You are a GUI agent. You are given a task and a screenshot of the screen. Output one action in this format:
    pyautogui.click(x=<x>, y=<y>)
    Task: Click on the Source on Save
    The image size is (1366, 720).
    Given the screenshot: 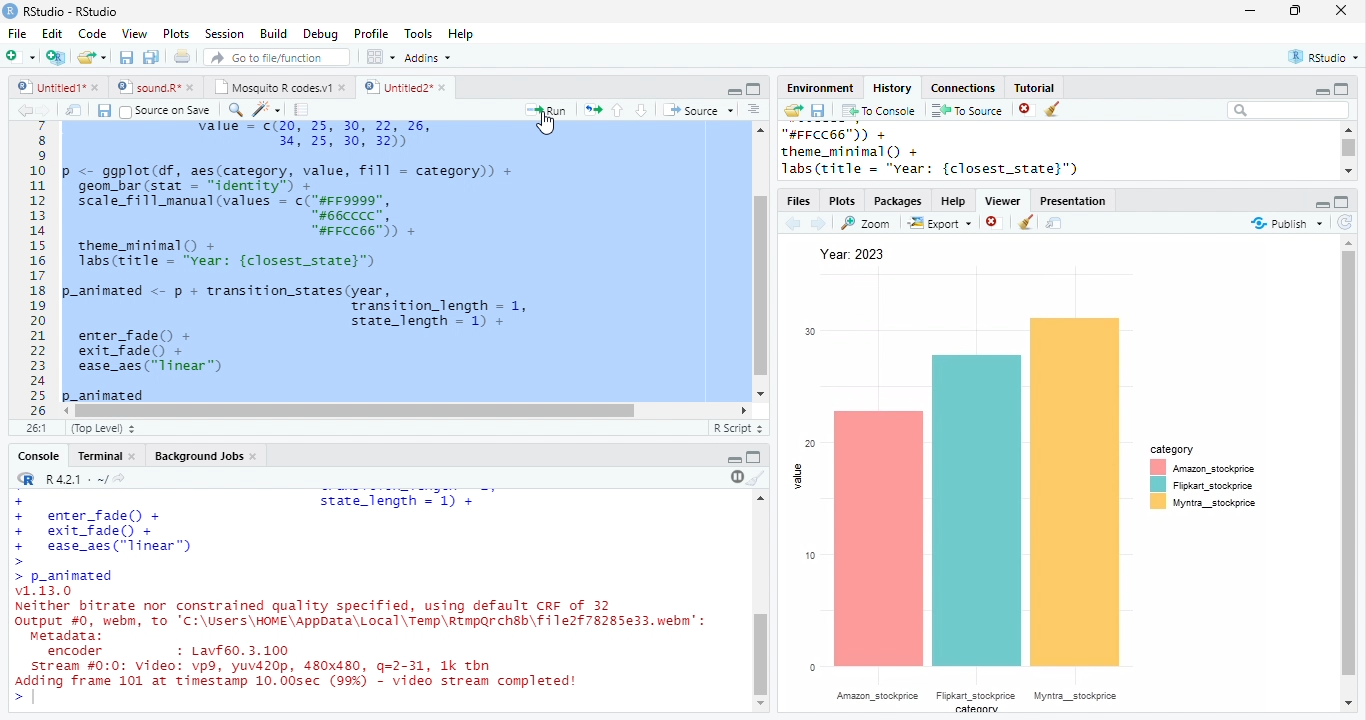 What is the action you would take?
    pyautogui.click(x=165, y=111)
    